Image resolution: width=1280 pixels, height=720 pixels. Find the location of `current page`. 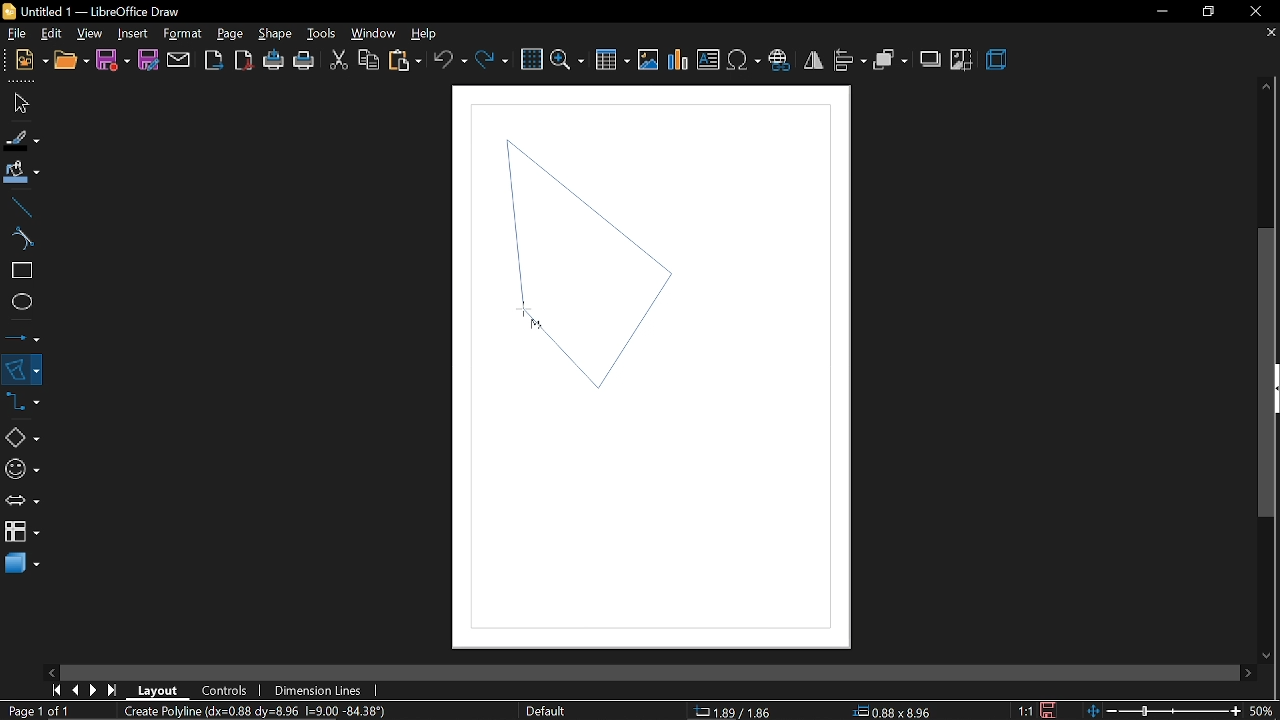

current page is located at coordinates (42, 711).